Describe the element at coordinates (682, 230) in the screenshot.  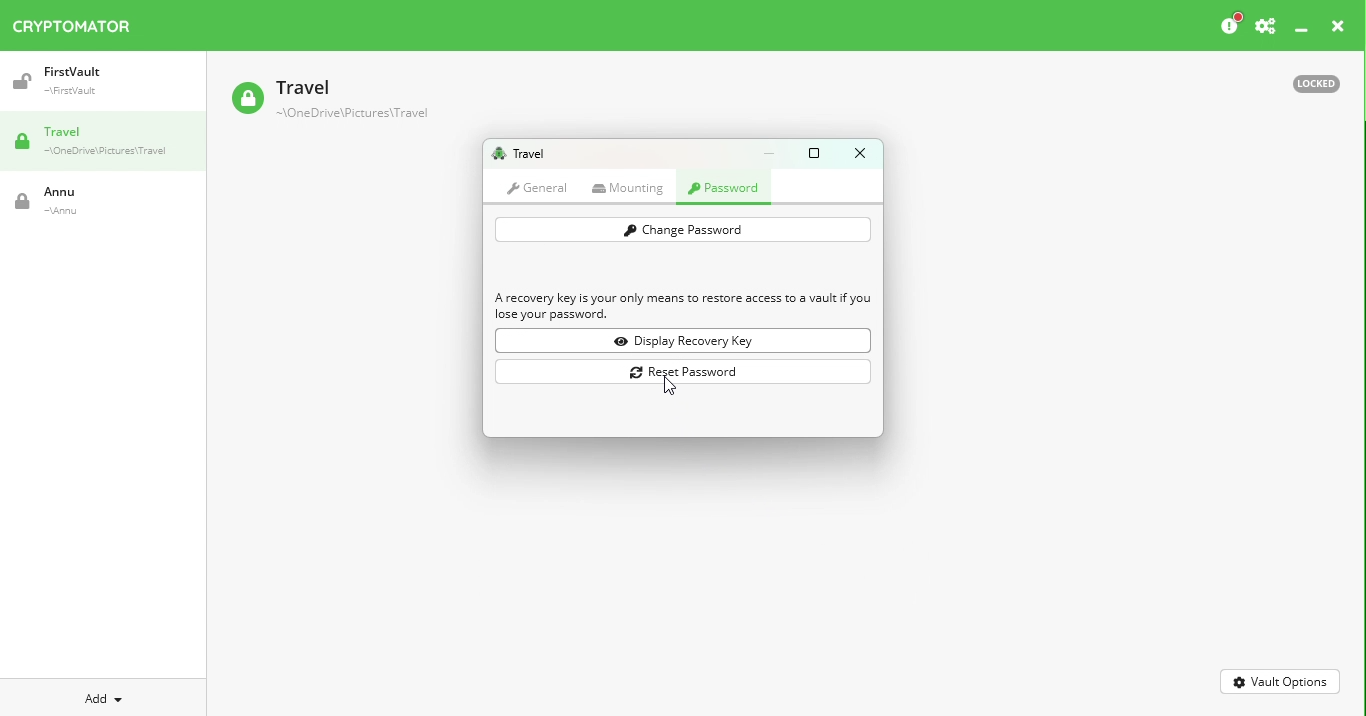
I see `Change password` at that location.